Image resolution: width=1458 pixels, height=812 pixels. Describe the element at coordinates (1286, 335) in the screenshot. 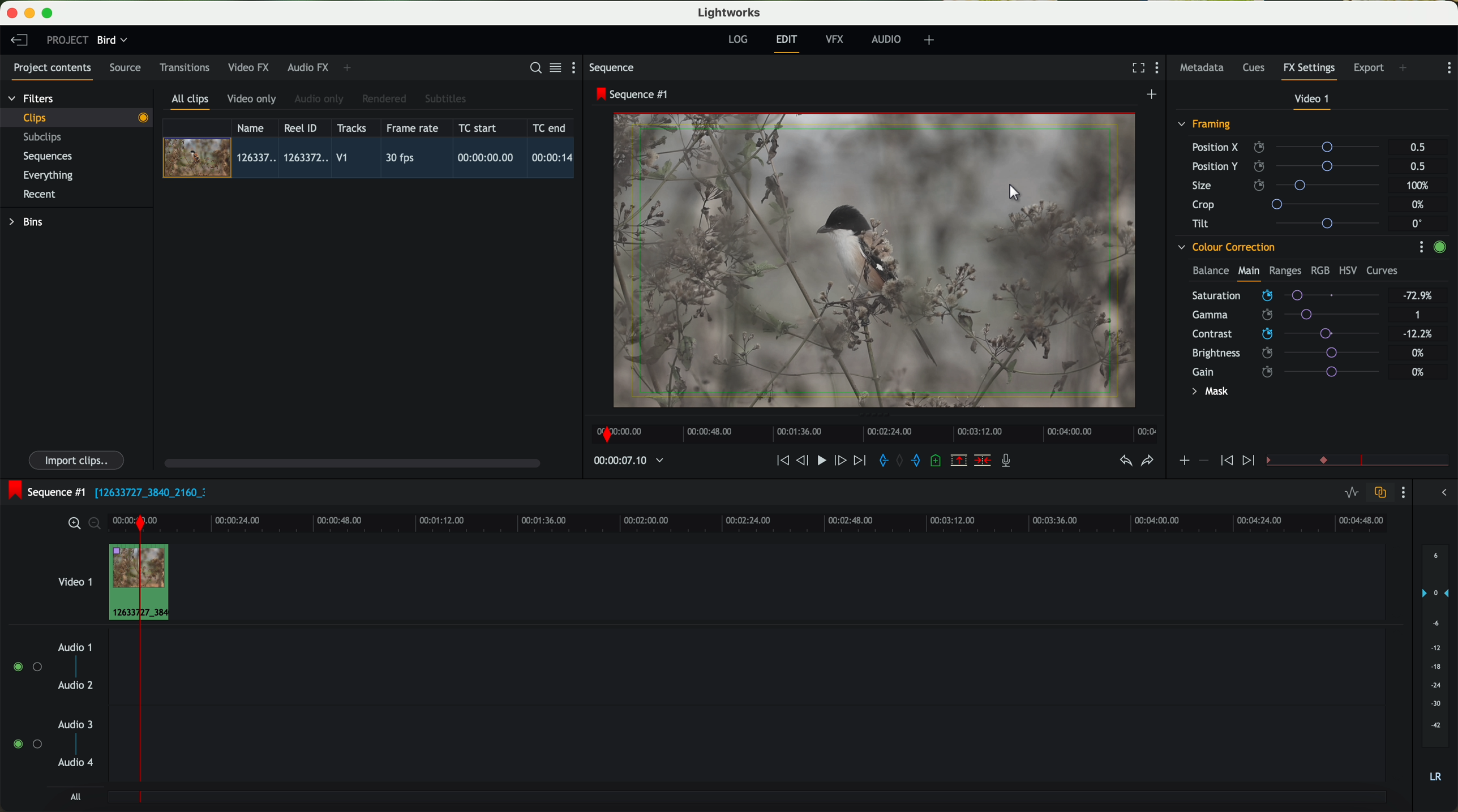

I see `click on contrast` at that location.